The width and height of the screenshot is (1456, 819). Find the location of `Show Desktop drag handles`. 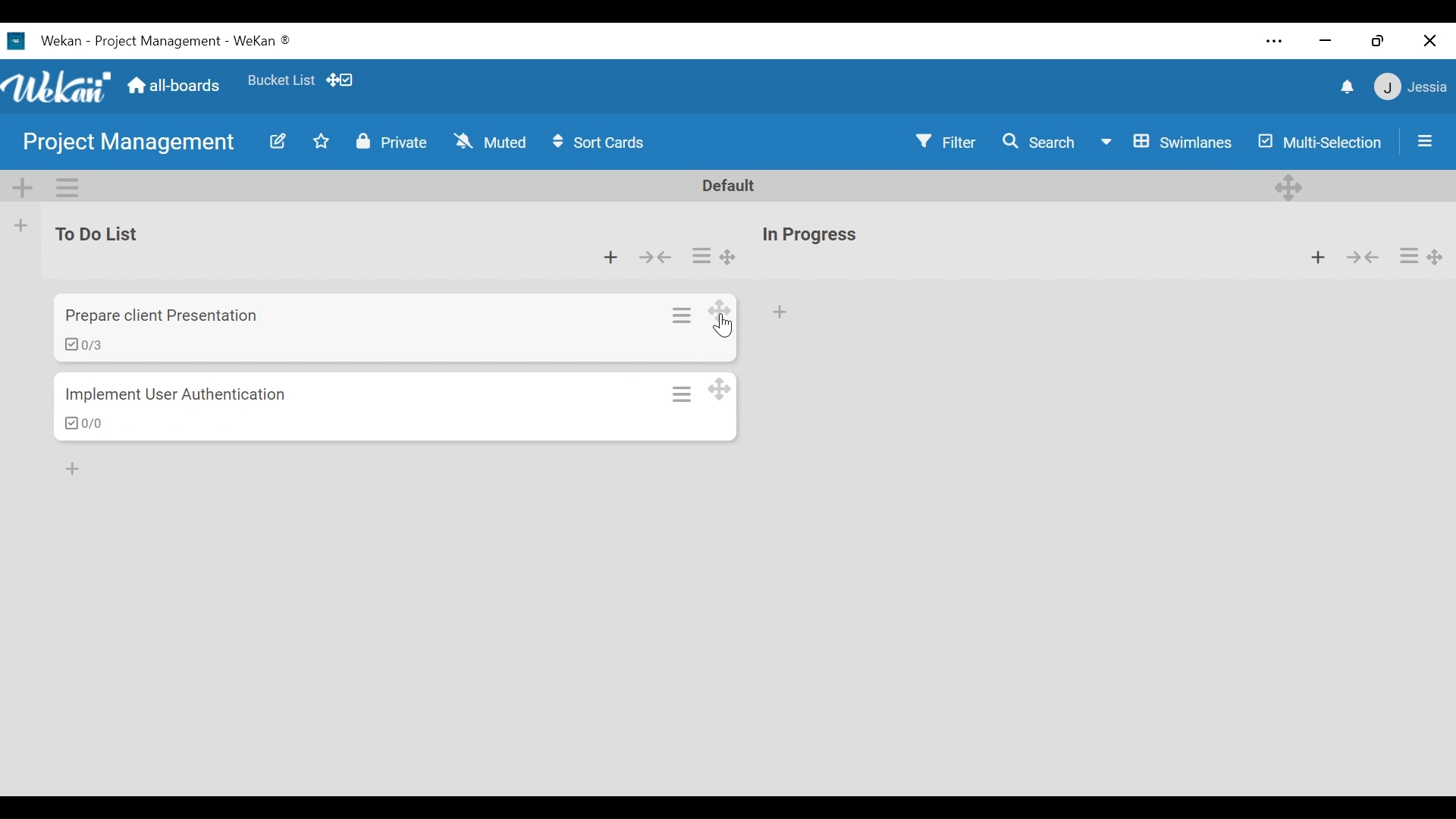

Show Desktop drag handles is located at coordinates (340, 80).